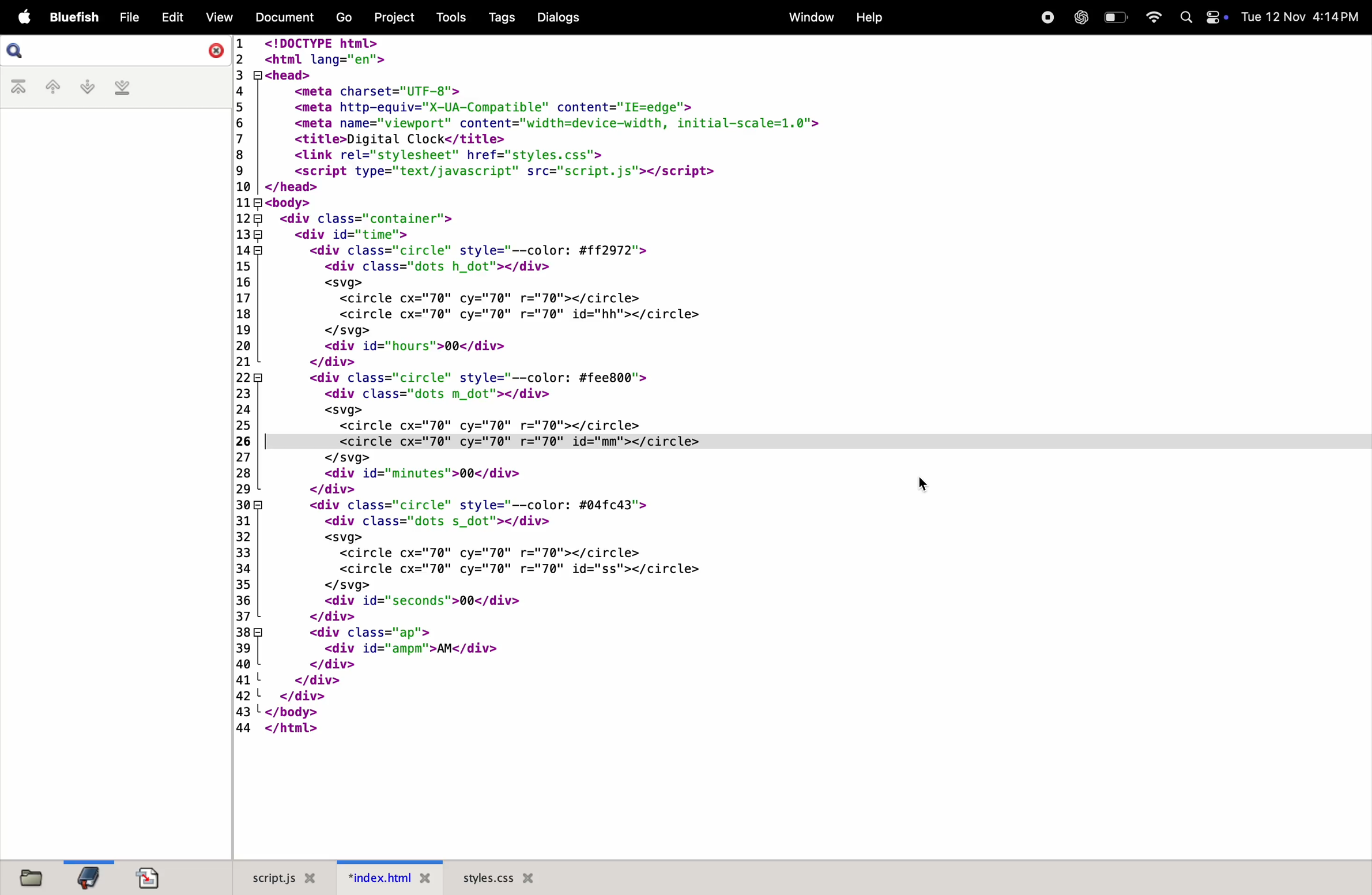  Describe the element at coordinates (1216, 18) in the screenshot. I see `Control center` at that location.